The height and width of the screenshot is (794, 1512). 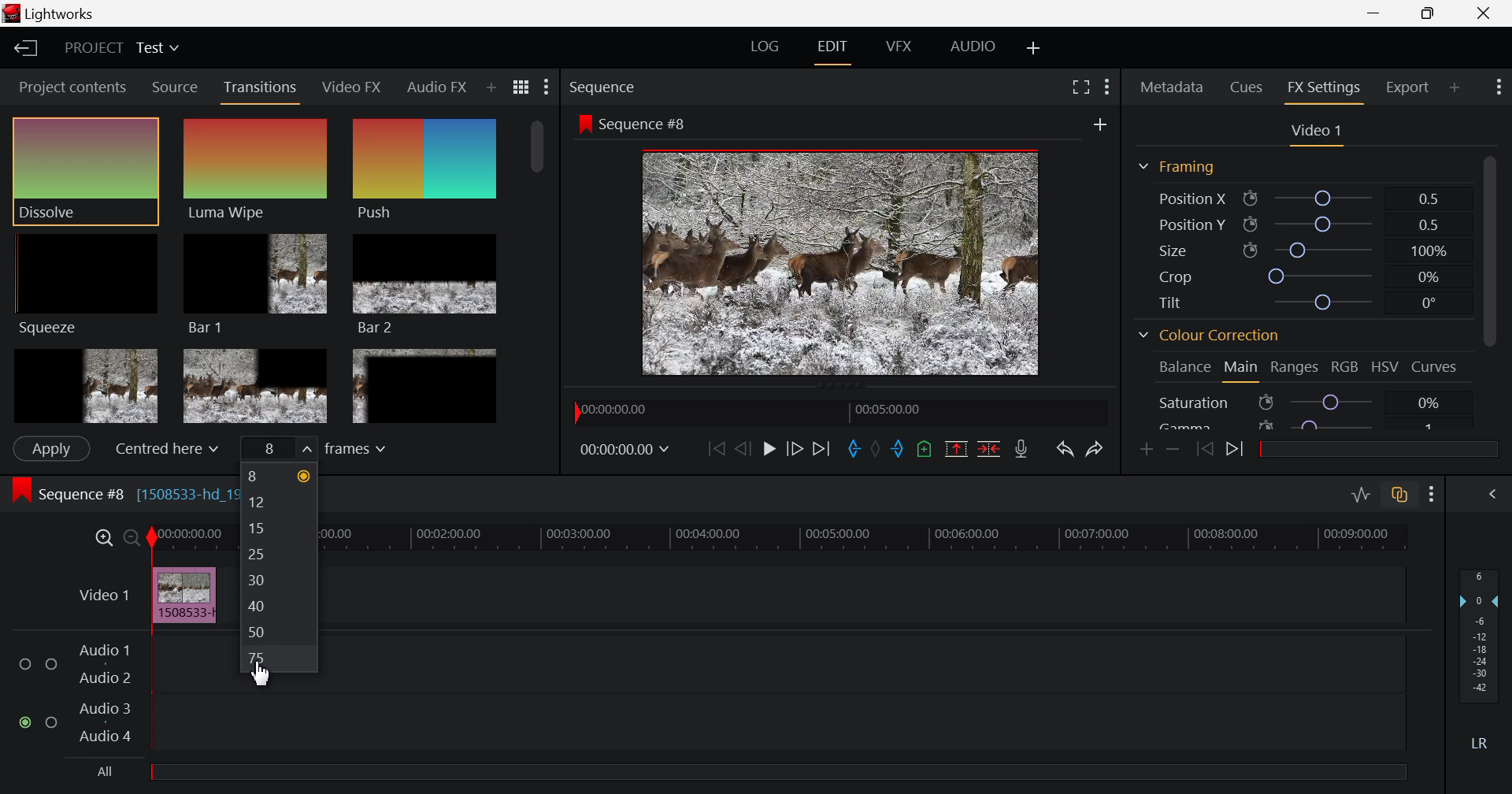 What do you see at coordinates (1484, 13) in the screenshot?
I see `Close` at bounding box center [1484, 13].